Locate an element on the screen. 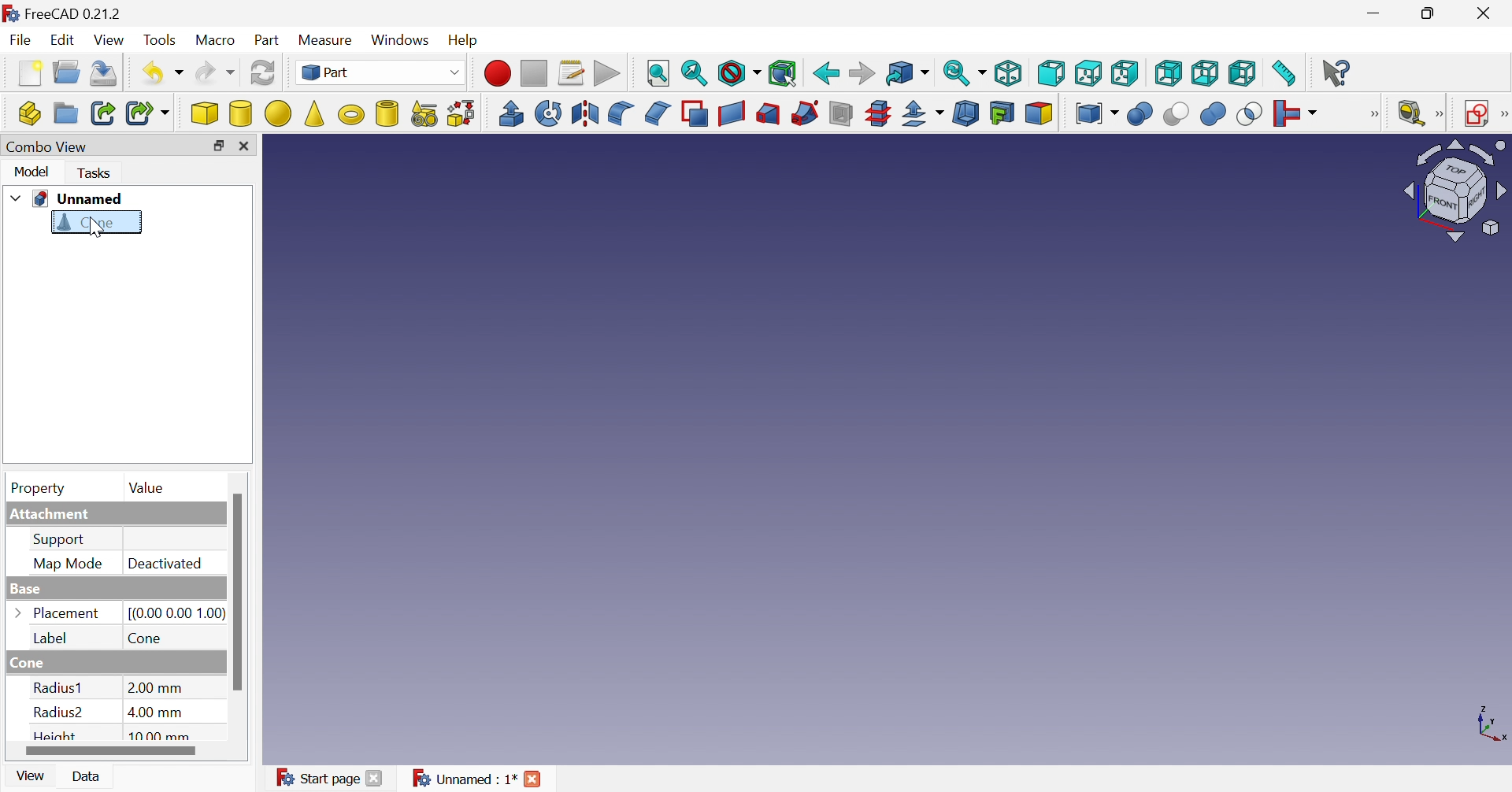 The image size is (1512, 792). Close is located at coordinates (246, 146).